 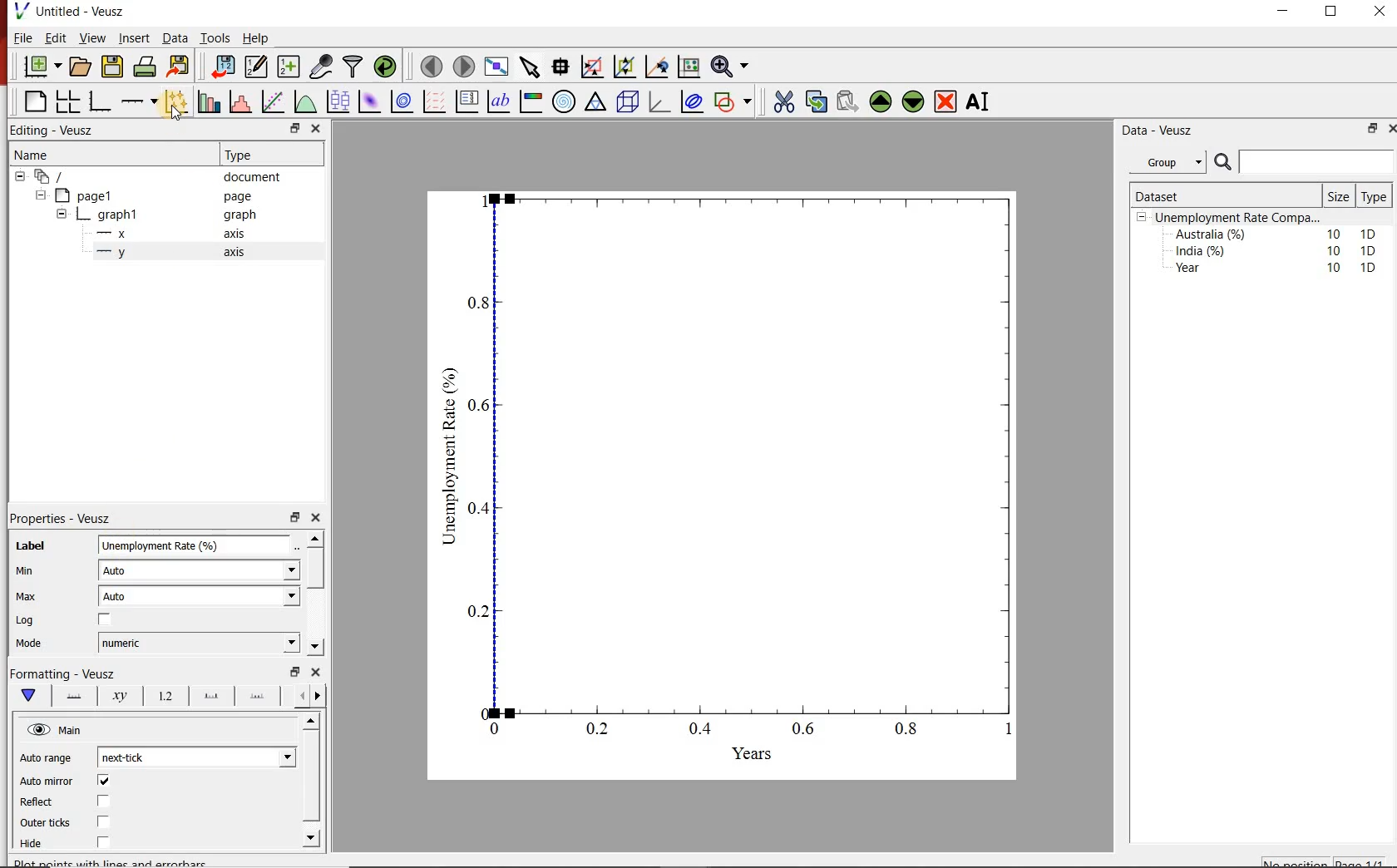 What do you see at coordinates (625, 65) in the screenshot?
I see `click to zoom out graph axes` at bounding box center [625, 65].